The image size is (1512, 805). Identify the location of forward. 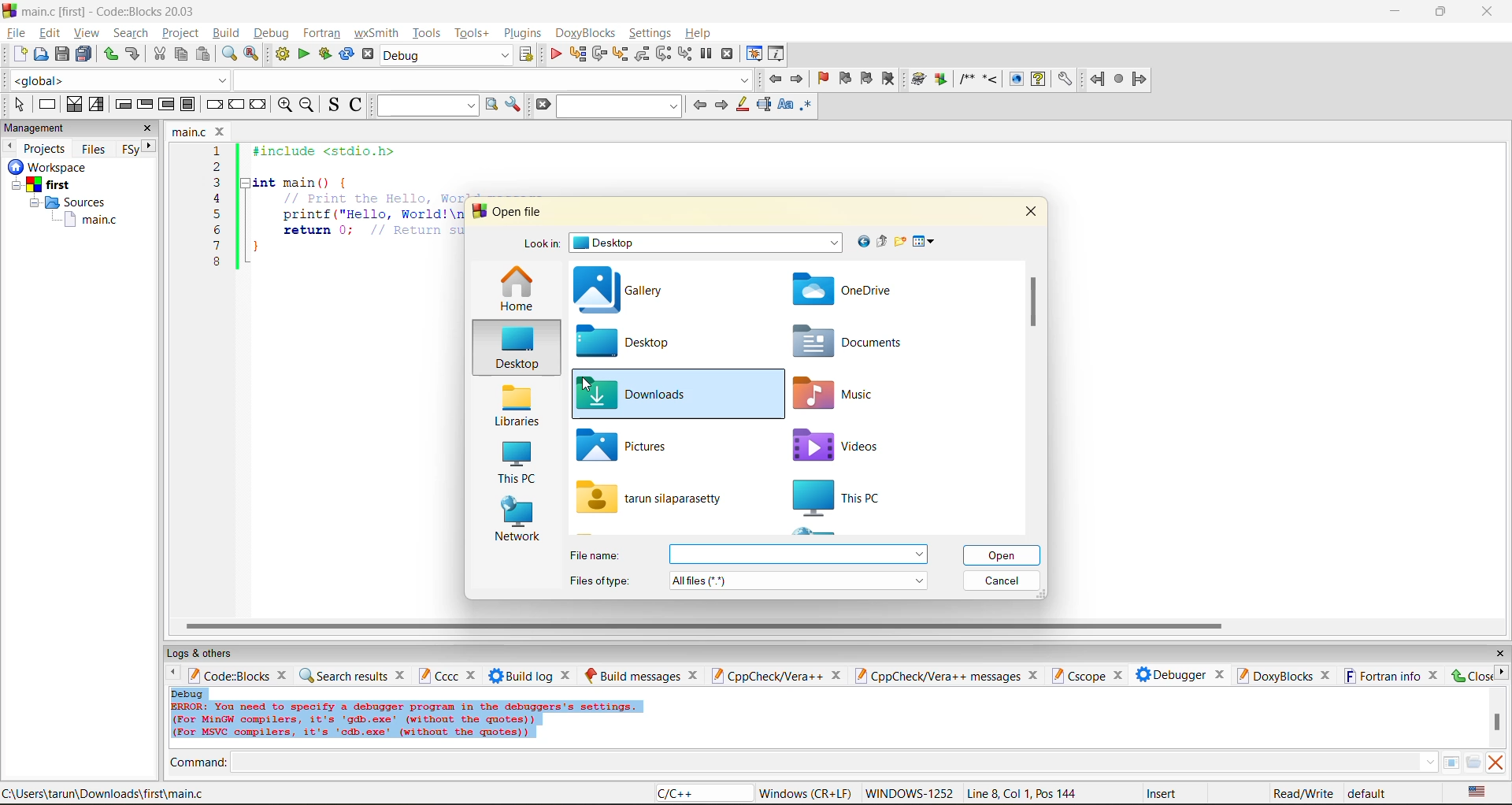
(1140, 79).